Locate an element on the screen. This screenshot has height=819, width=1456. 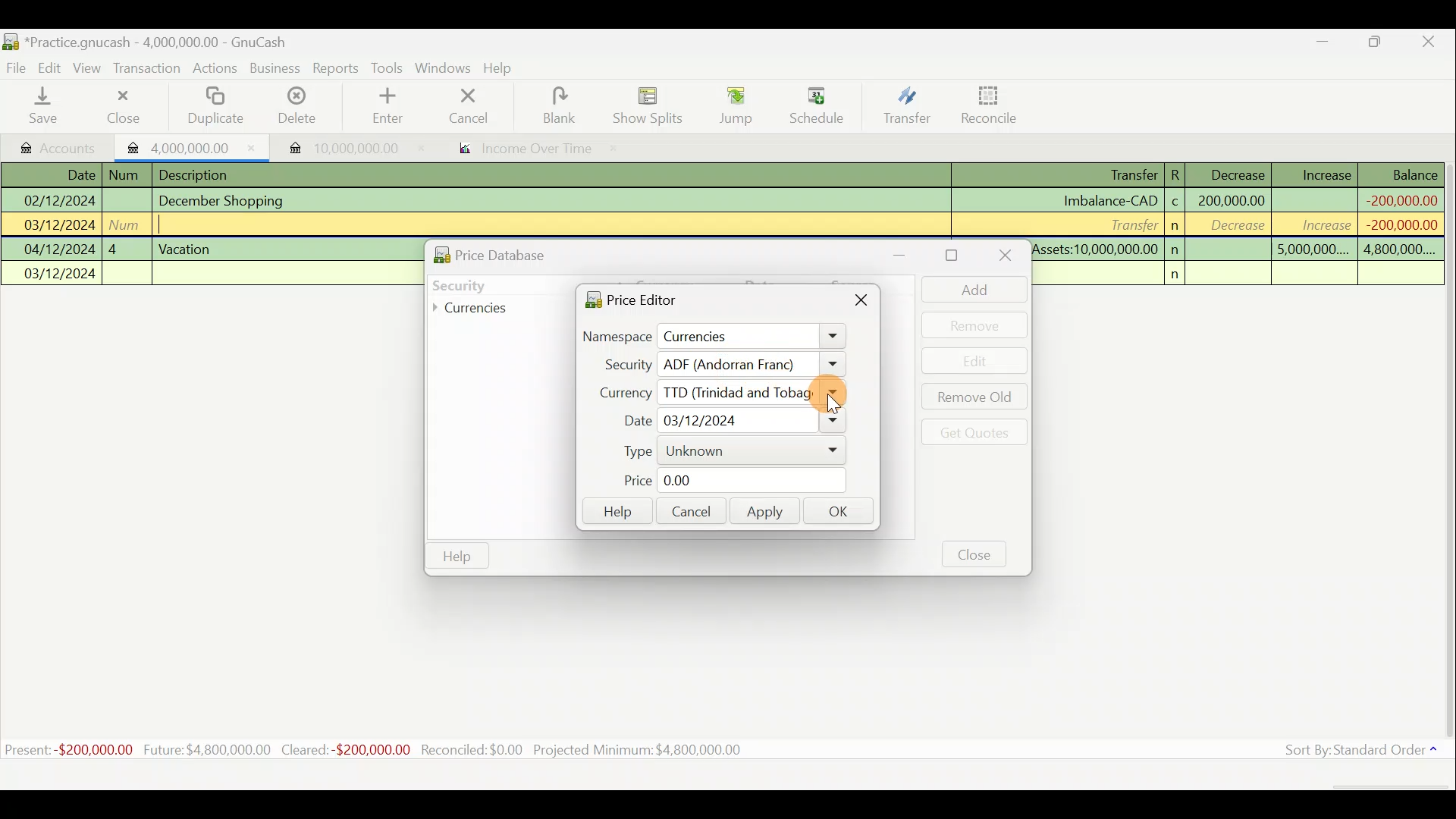
Date  is located at coordinates (71, 174).